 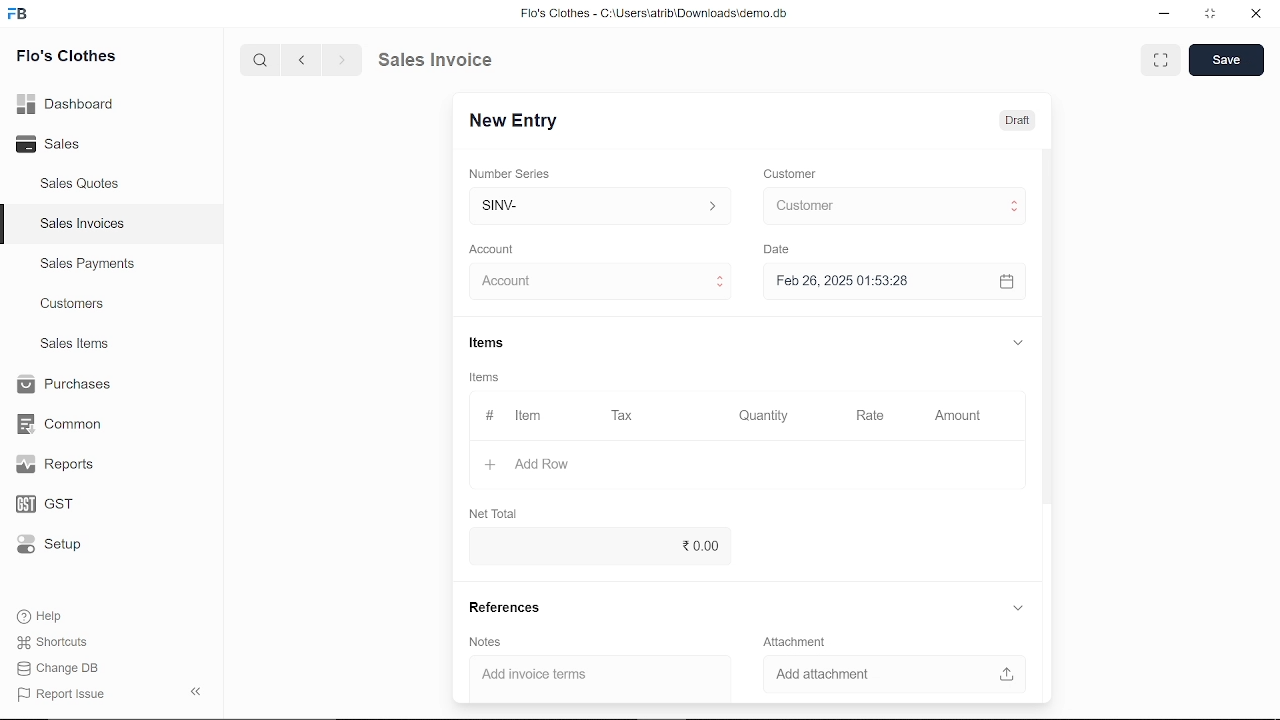 What do you see at coordinates (1166, 16) in the screenshot?
I see `minimize` at bounding box center [1166, 16].